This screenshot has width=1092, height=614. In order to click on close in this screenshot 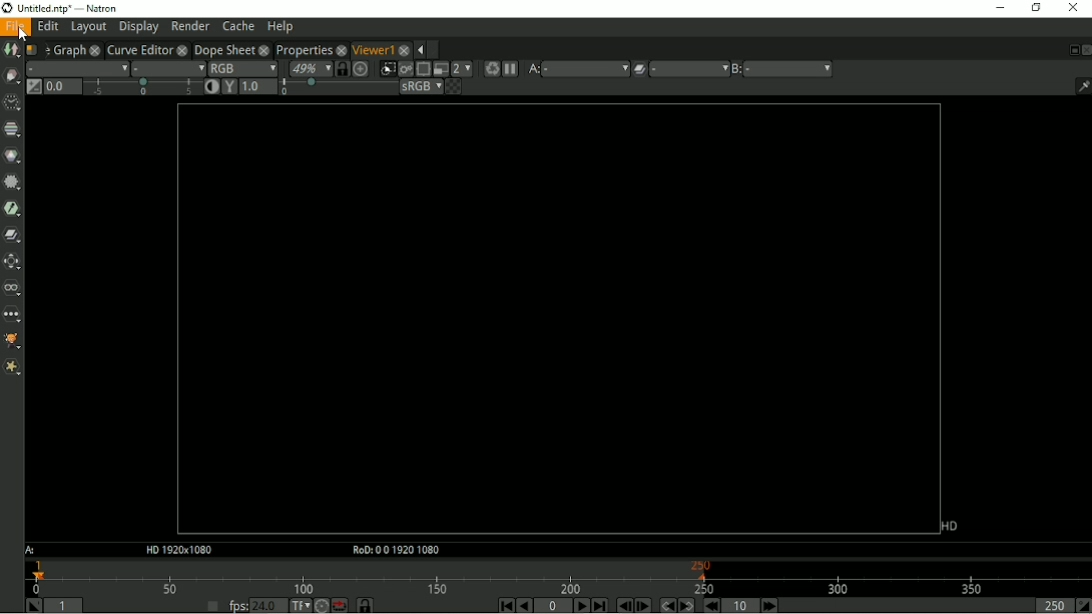, I will do `click(94, 49)`.